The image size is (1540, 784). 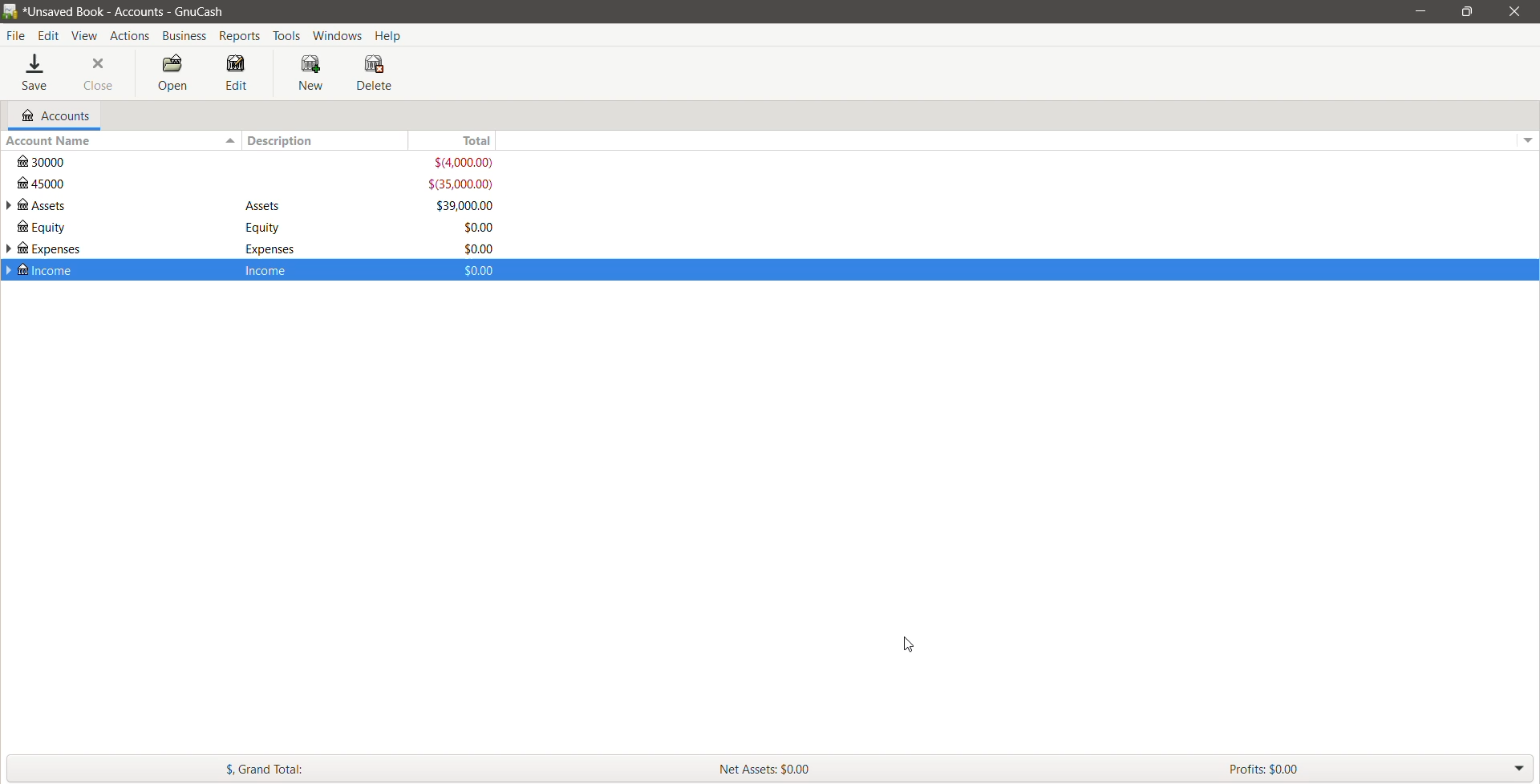 What do you see at coordinates (16, 36) in the screenshot?
I see `File` at bounding box center [16, 36].